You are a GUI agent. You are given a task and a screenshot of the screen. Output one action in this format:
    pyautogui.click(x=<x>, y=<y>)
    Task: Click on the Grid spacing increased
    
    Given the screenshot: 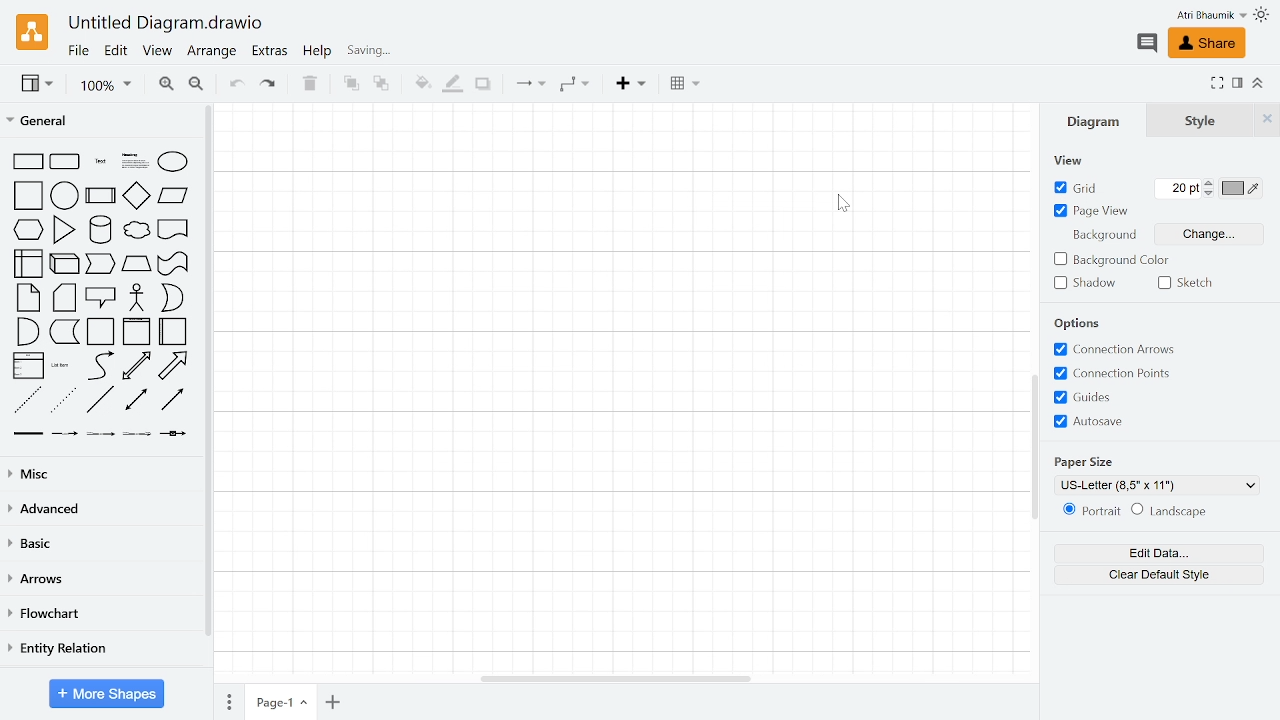 What is the action you would take?
    pyautogui.click(x=627, y=377)
    